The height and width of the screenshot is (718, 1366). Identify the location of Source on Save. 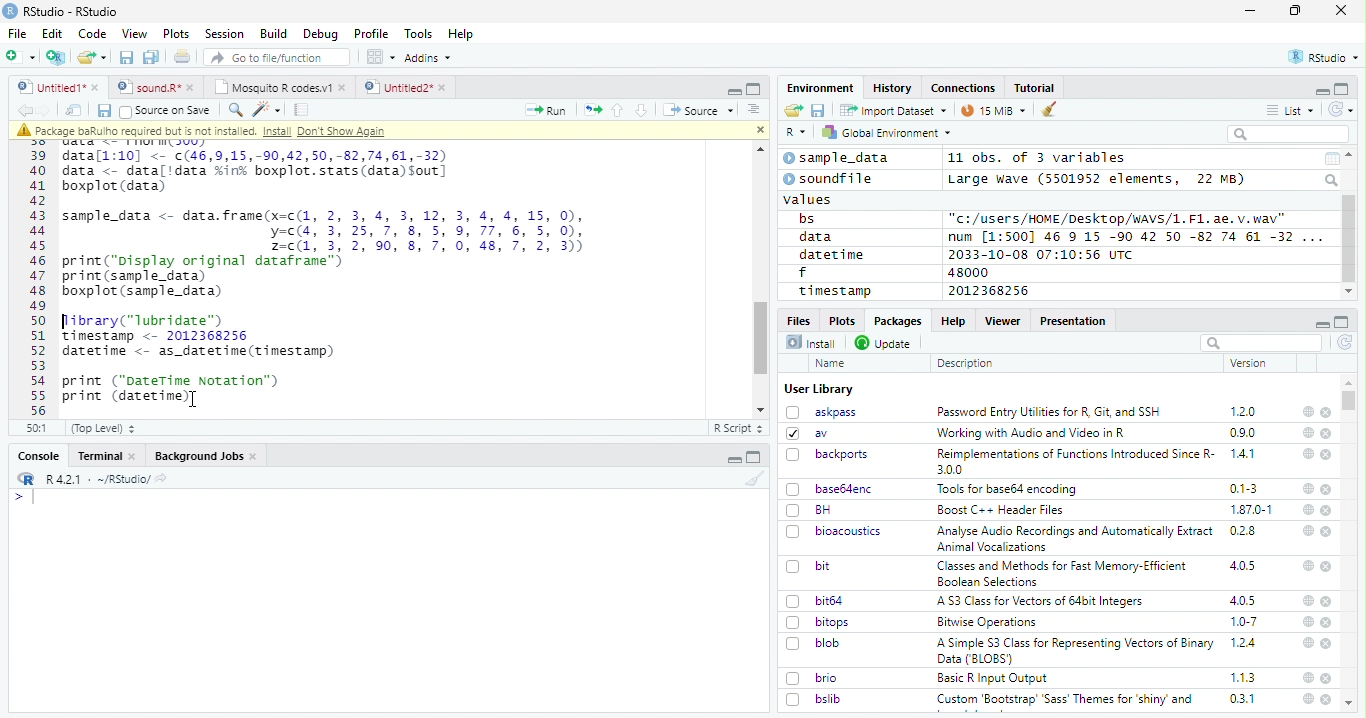
(164, 110).